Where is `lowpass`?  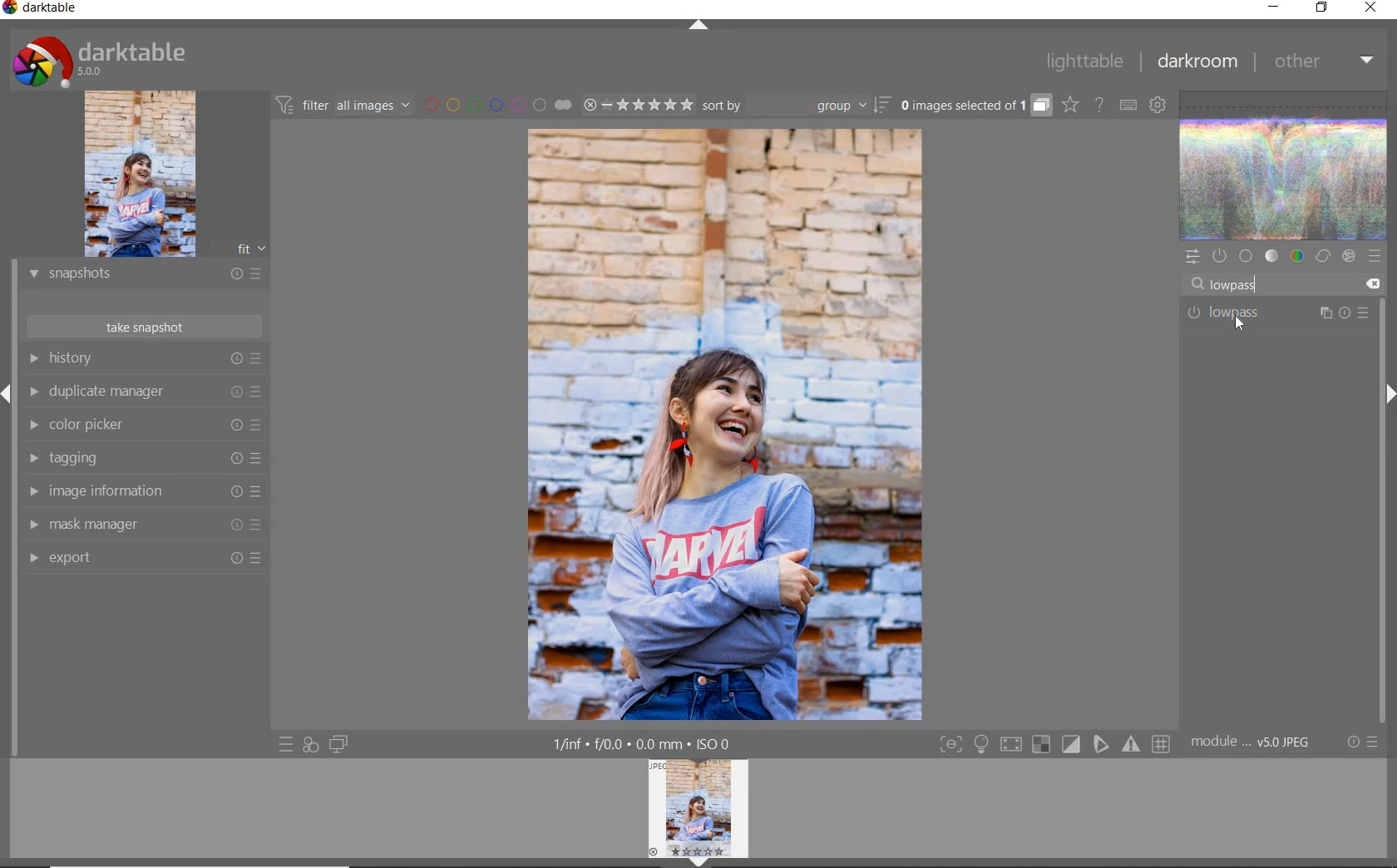 lowpass is located at coordinates (1276, 312).